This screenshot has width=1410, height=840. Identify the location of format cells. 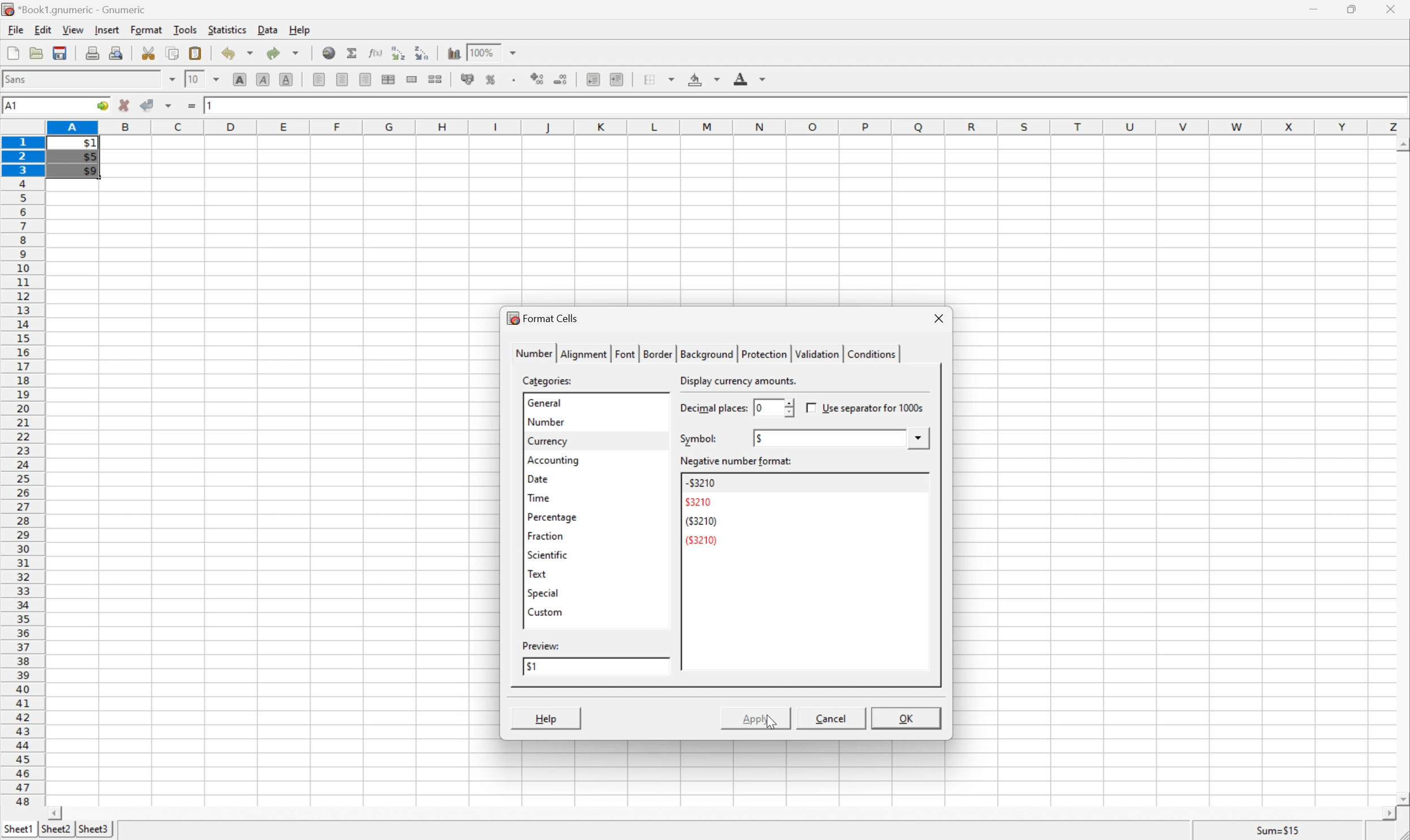
(542, 317).